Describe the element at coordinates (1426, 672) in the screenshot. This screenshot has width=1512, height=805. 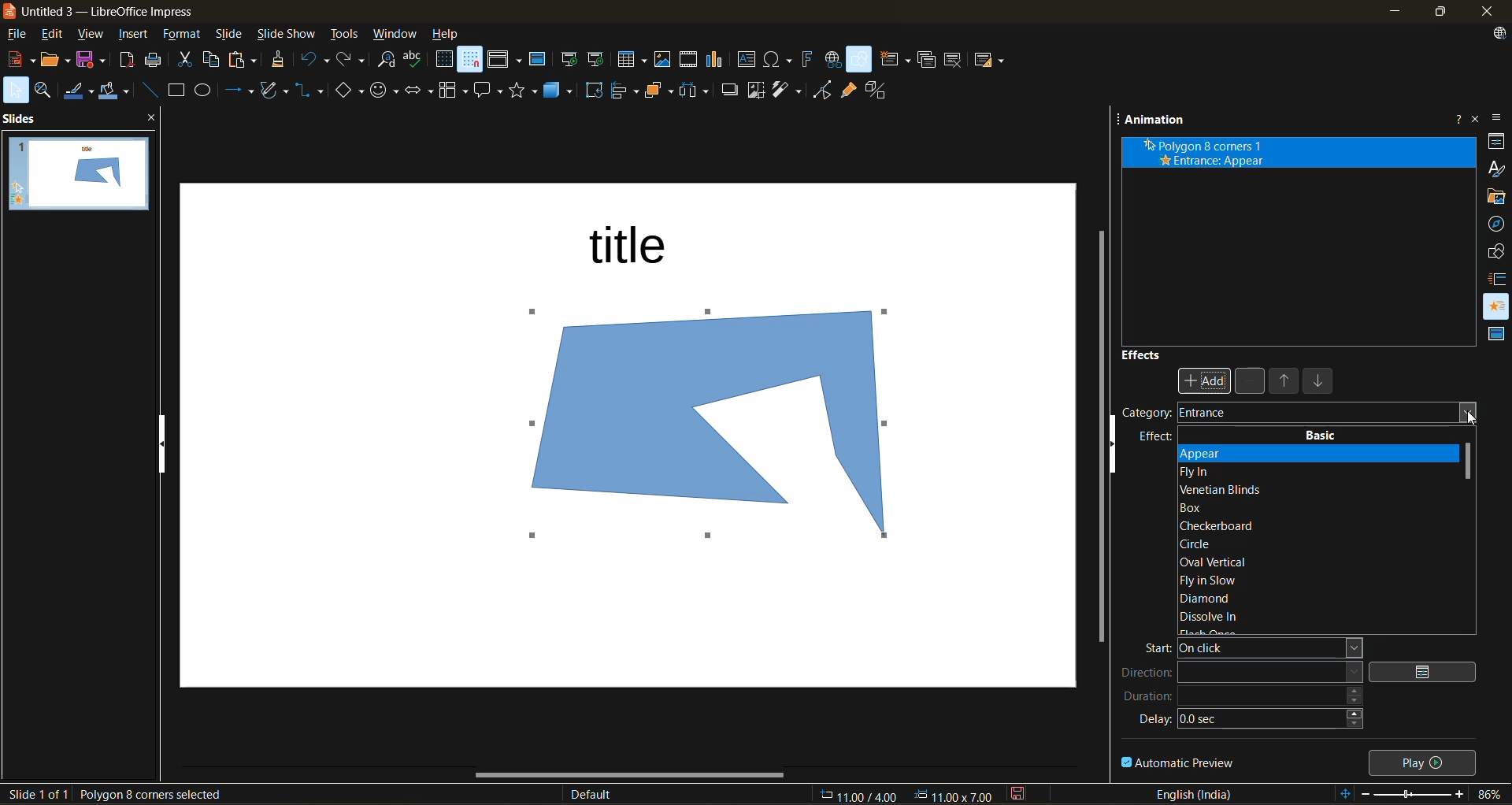
I see `options` at that location.